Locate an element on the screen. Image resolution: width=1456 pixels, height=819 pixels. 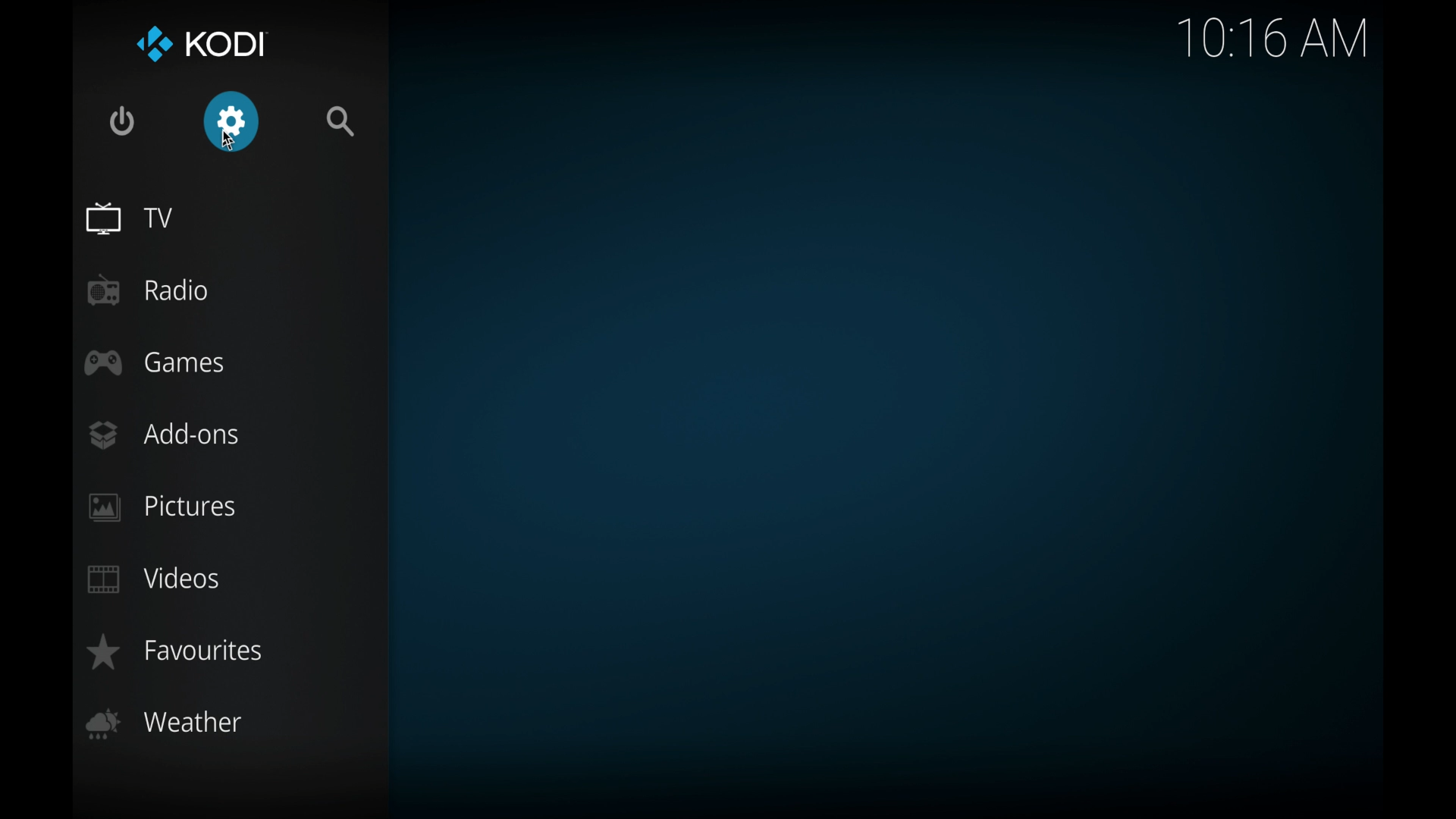
search is located at coordinates (343, 121).